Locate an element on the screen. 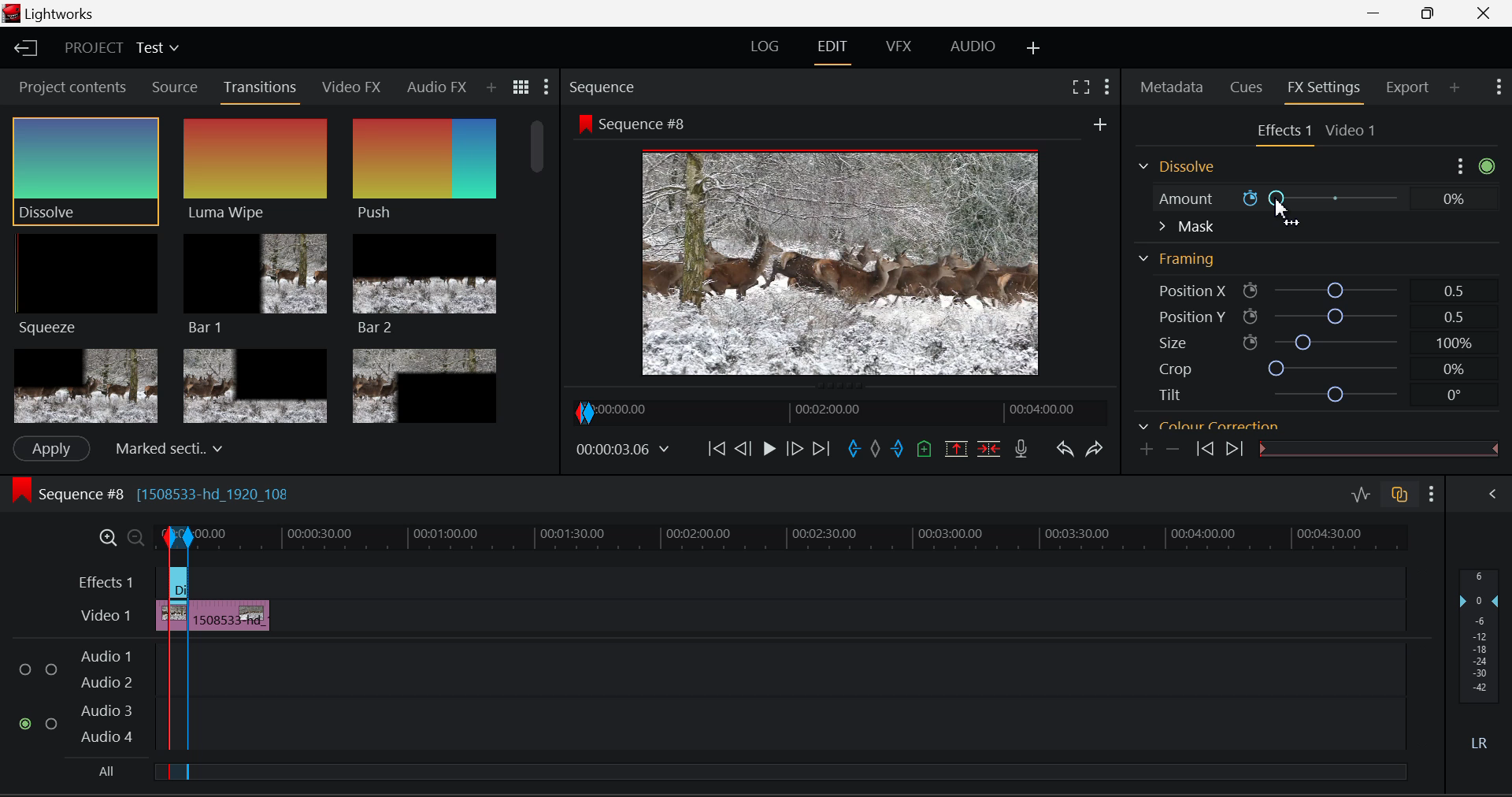 Image resolution: width=1512 pixels, height=797 pixels. Add Panel is located at coordinates (491, 88).